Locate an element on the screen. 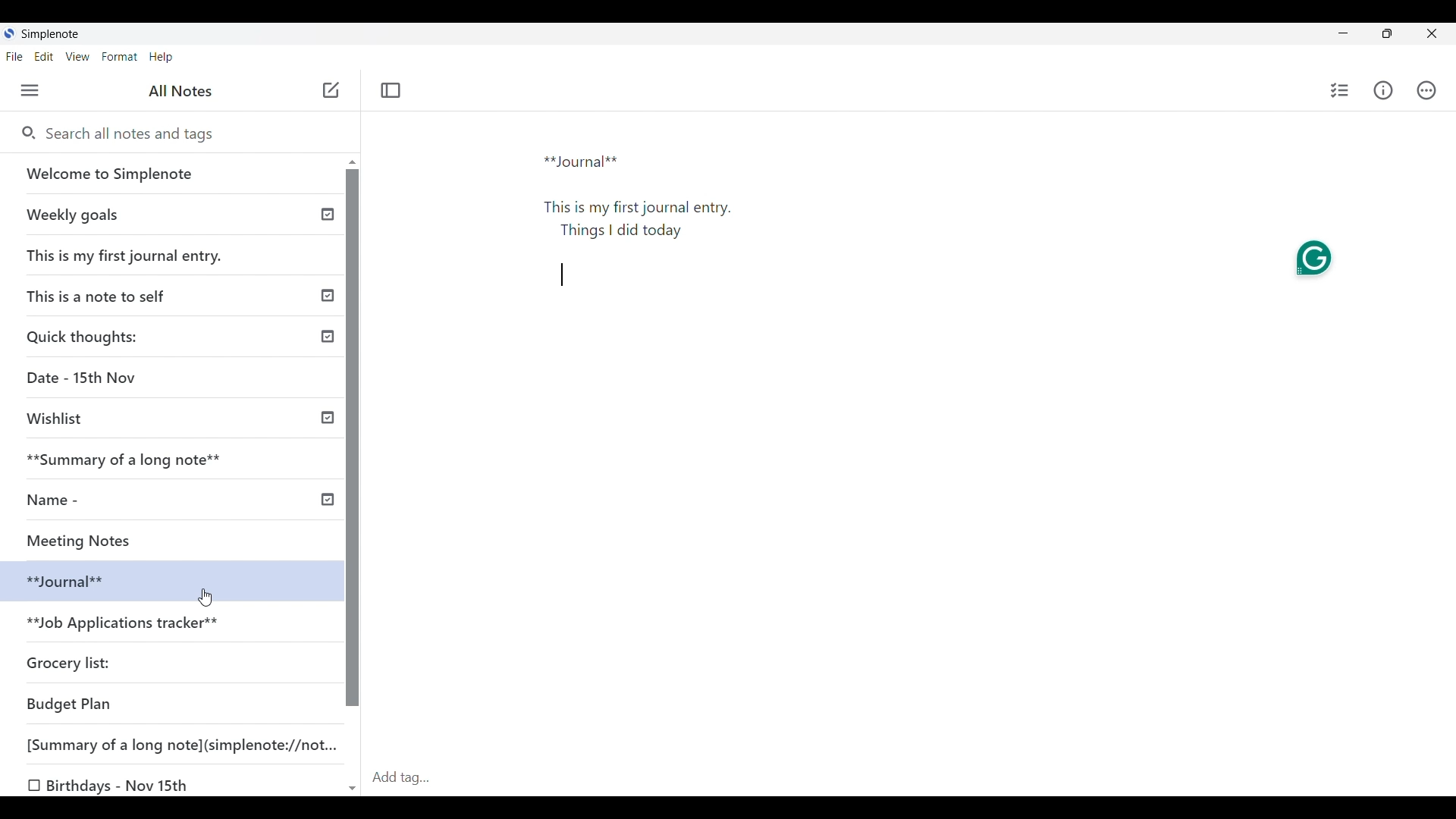 The height and width of the screenshot is (819, 1456). O Birthdays - Nov 15th is located at coordinates (111, 786).